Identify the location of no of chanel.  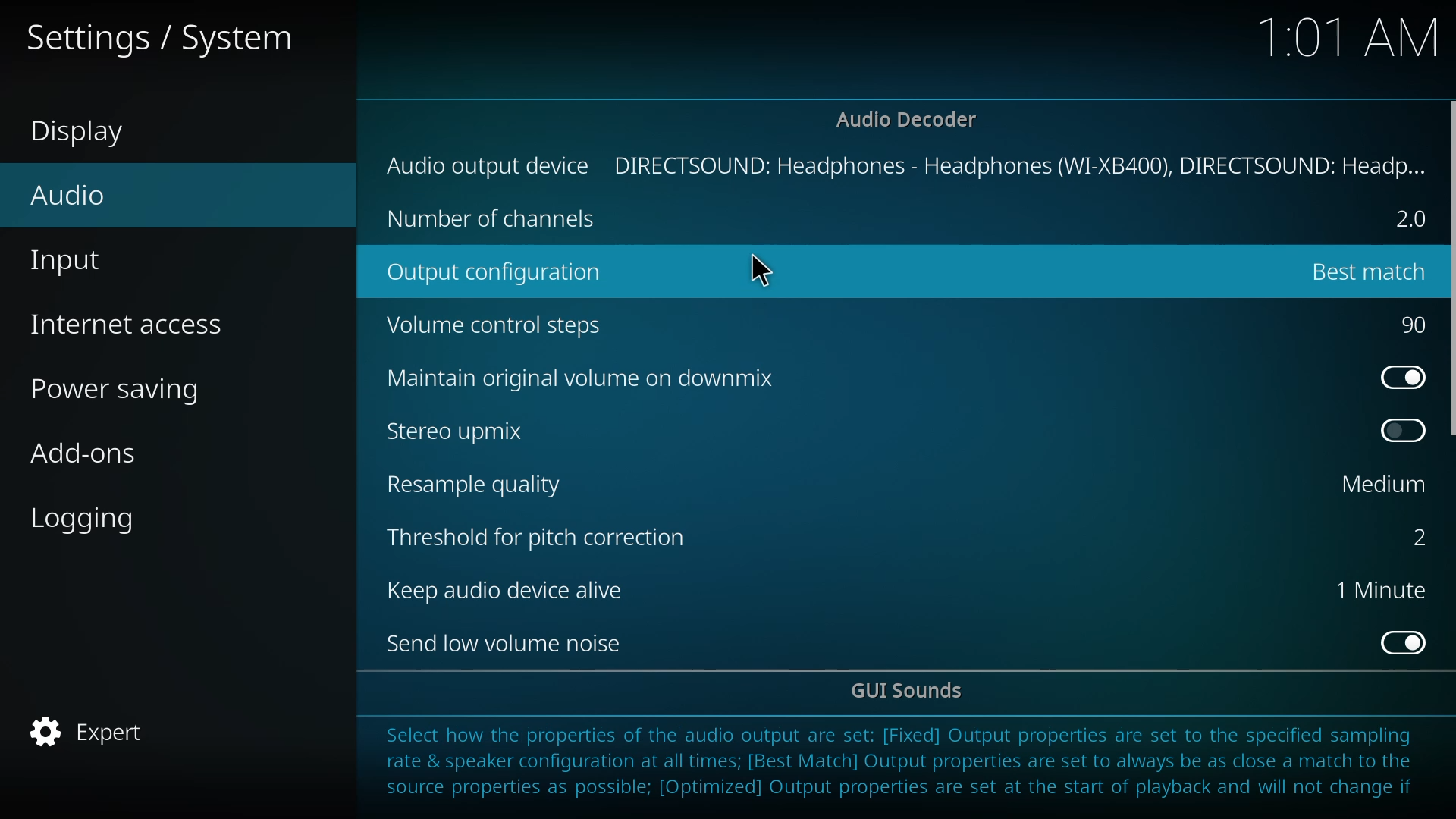
(492, 221).